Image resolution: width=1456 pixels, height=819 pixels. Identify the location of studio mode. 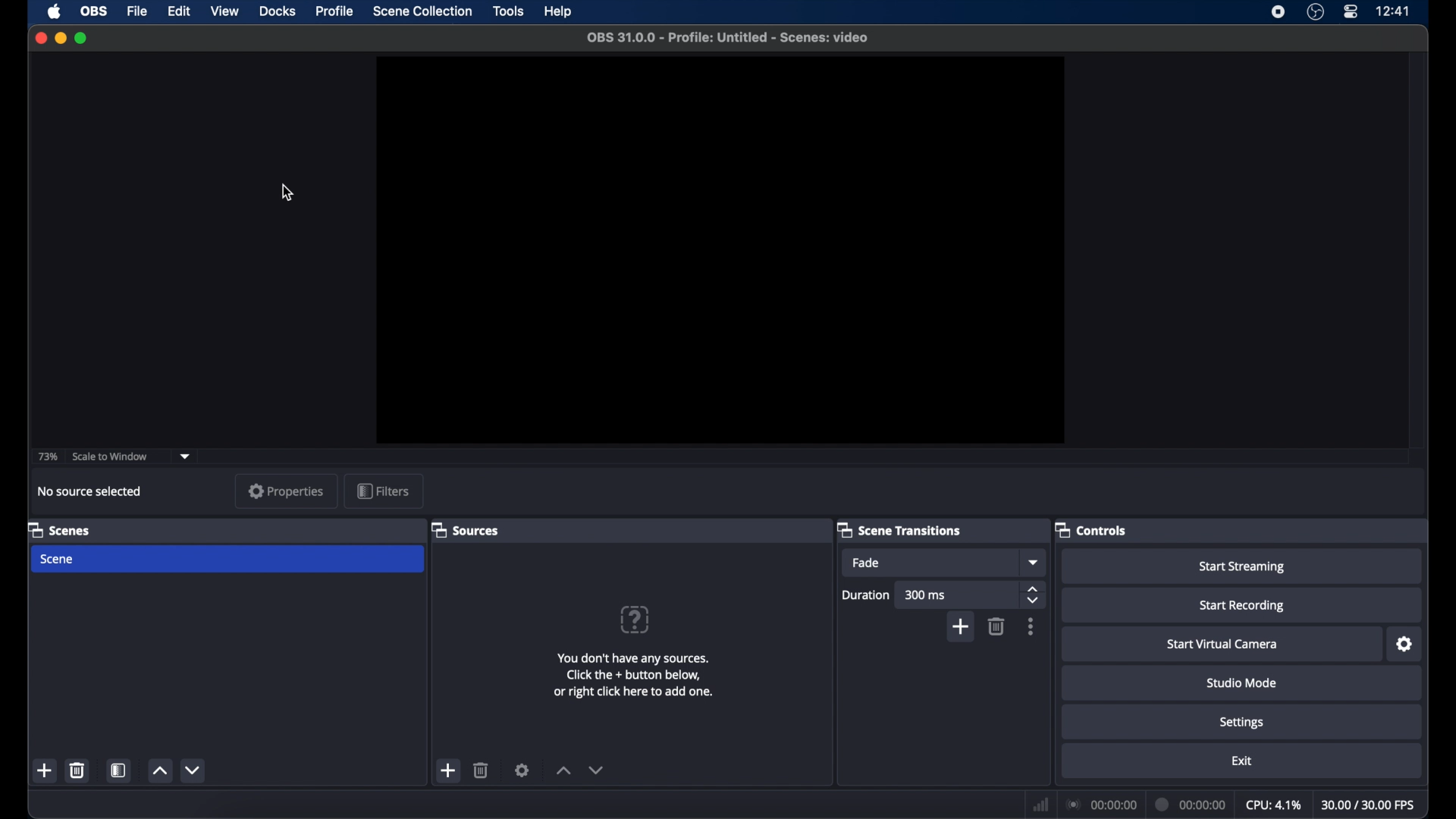
(1246, 682).